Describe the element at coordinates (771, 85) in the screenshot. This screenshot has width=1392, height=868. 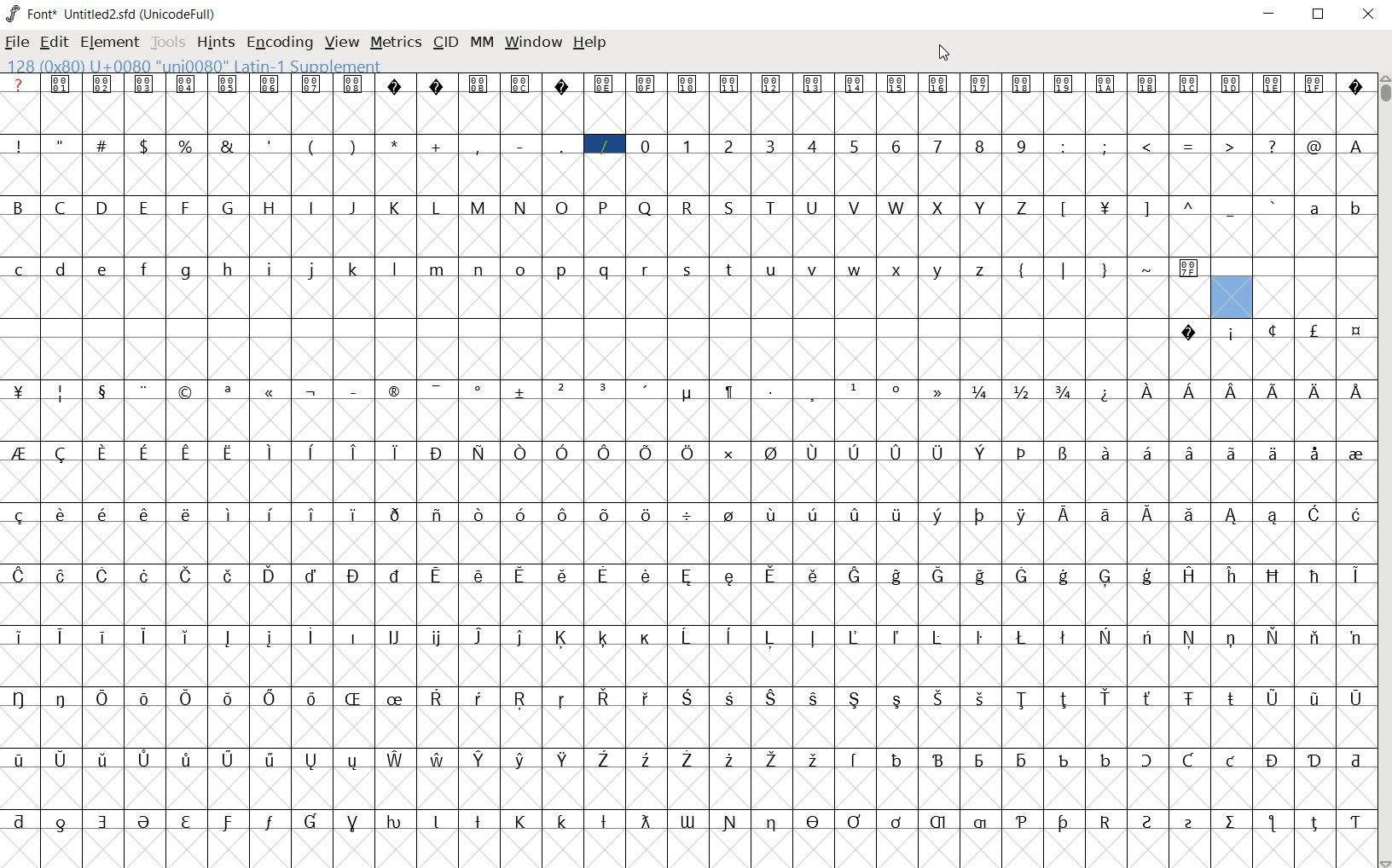
I see `glyph` at that location.